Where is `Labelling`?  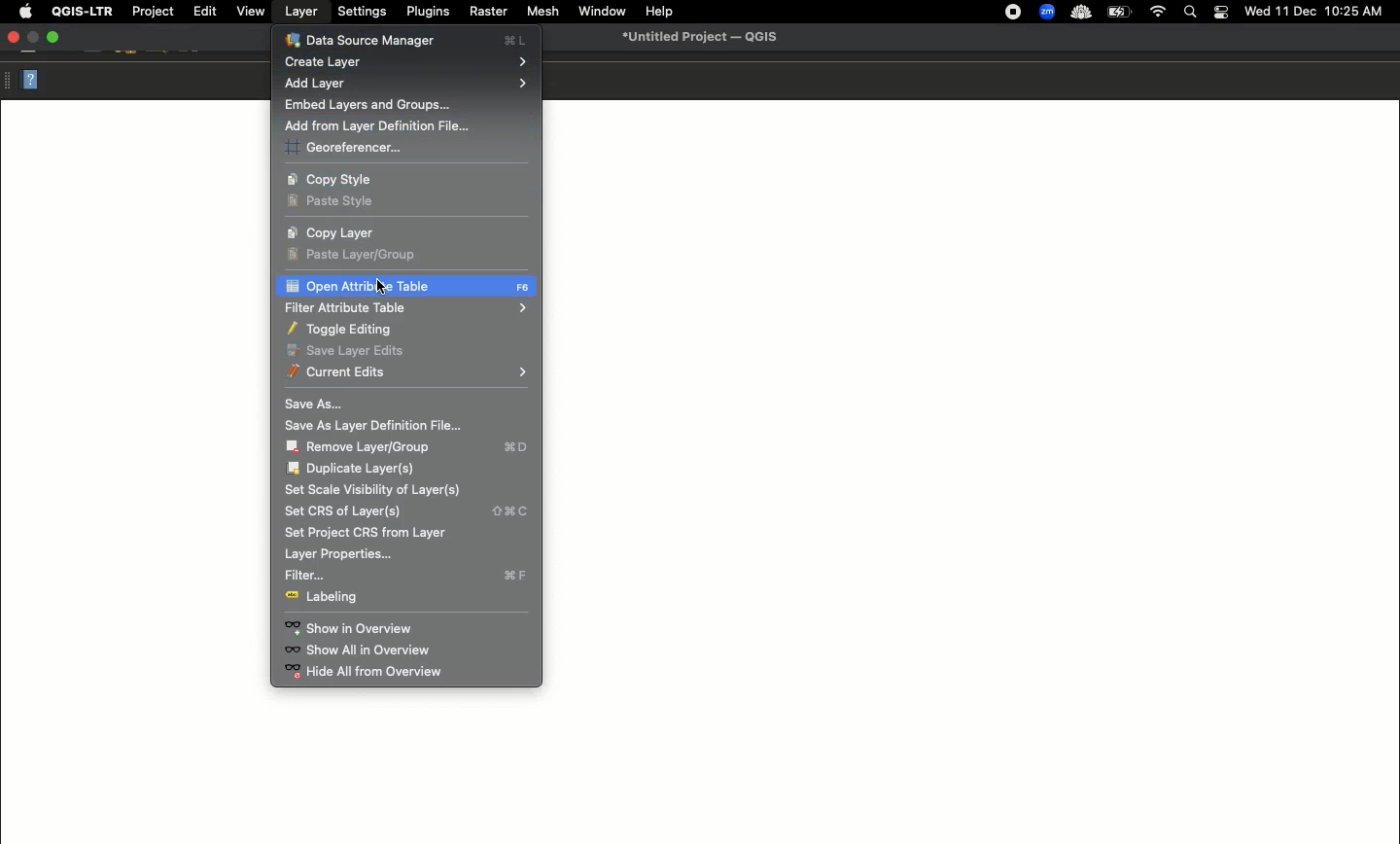
Labelling is located at coordinates (328, 598).